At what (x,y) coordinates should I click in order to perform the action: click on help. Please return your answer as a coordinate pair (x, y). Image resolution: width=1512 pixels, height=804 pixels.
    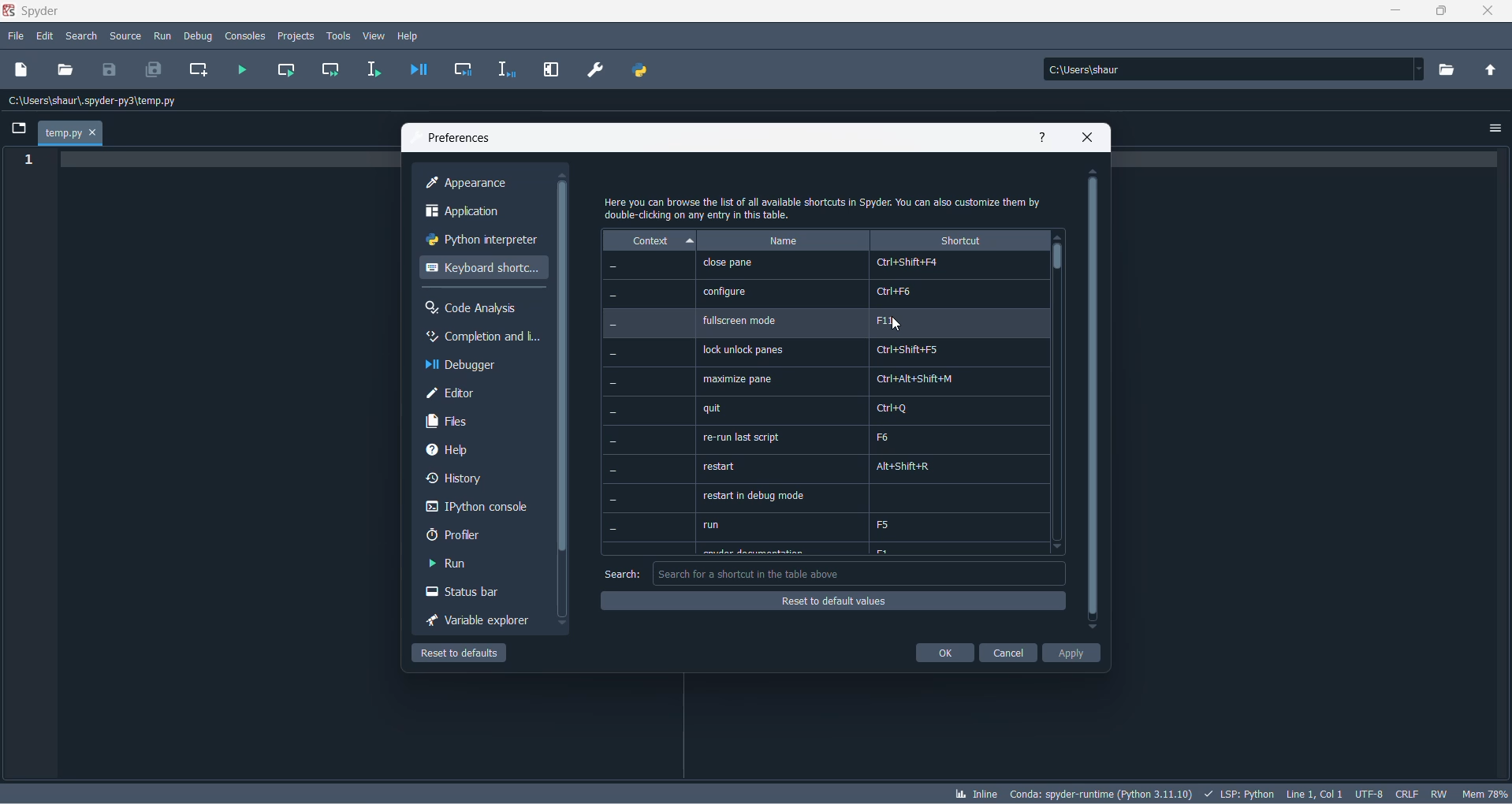
    Looking at the image, I should click on (412, 35).